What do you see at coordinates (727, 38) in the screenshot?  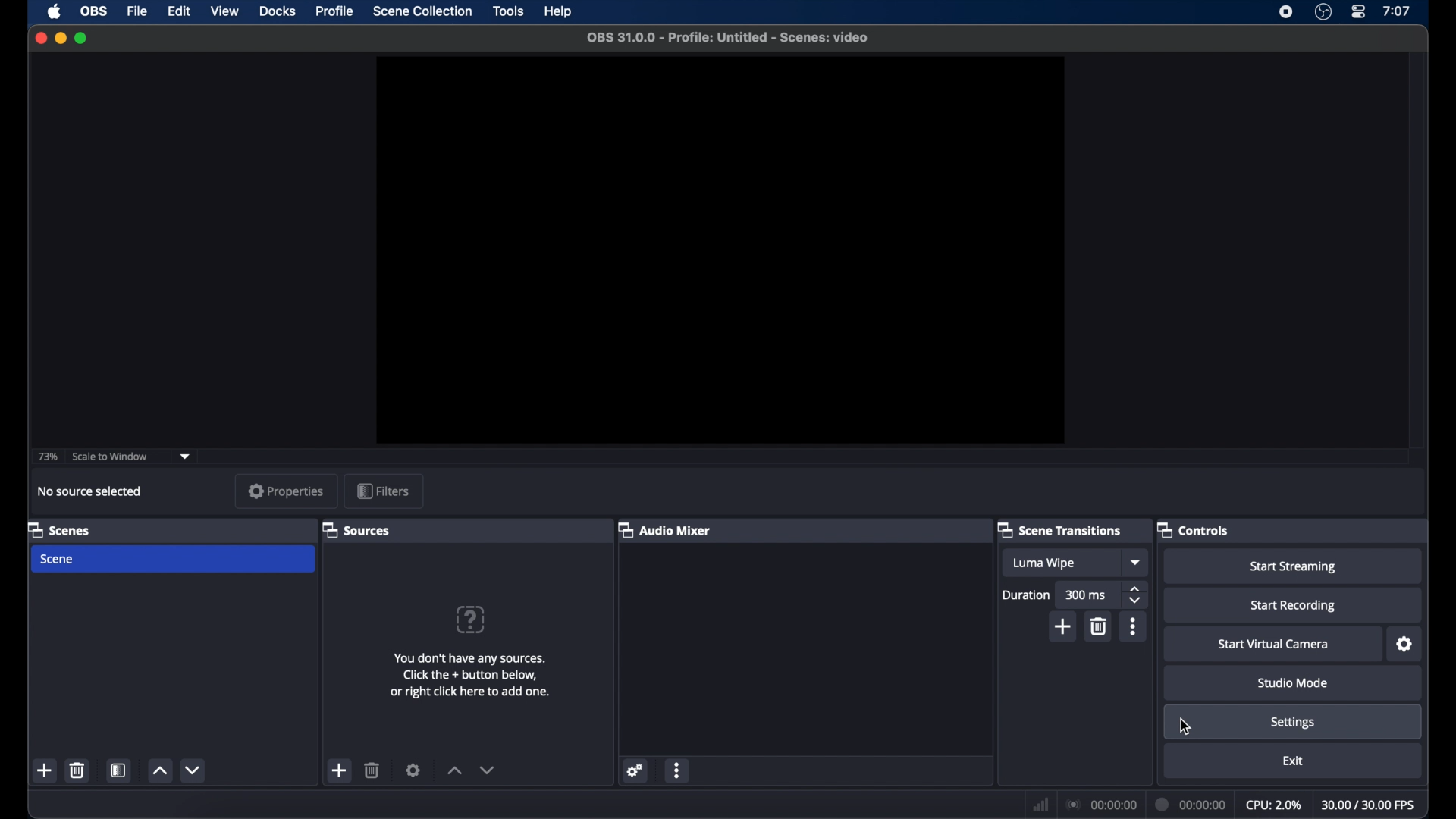 I see `file name` at bounding box center [727, 38].